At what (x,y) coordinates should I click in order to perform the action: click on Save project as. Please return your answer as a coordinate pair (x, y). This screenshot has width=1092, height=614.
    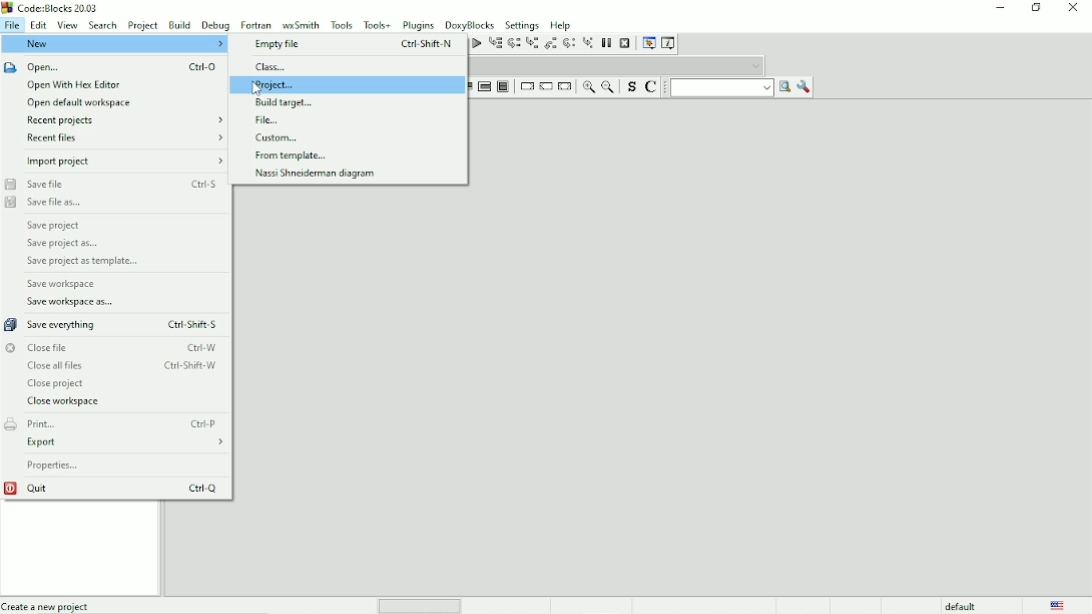
    Looking at the image, I should click on (62, 244).